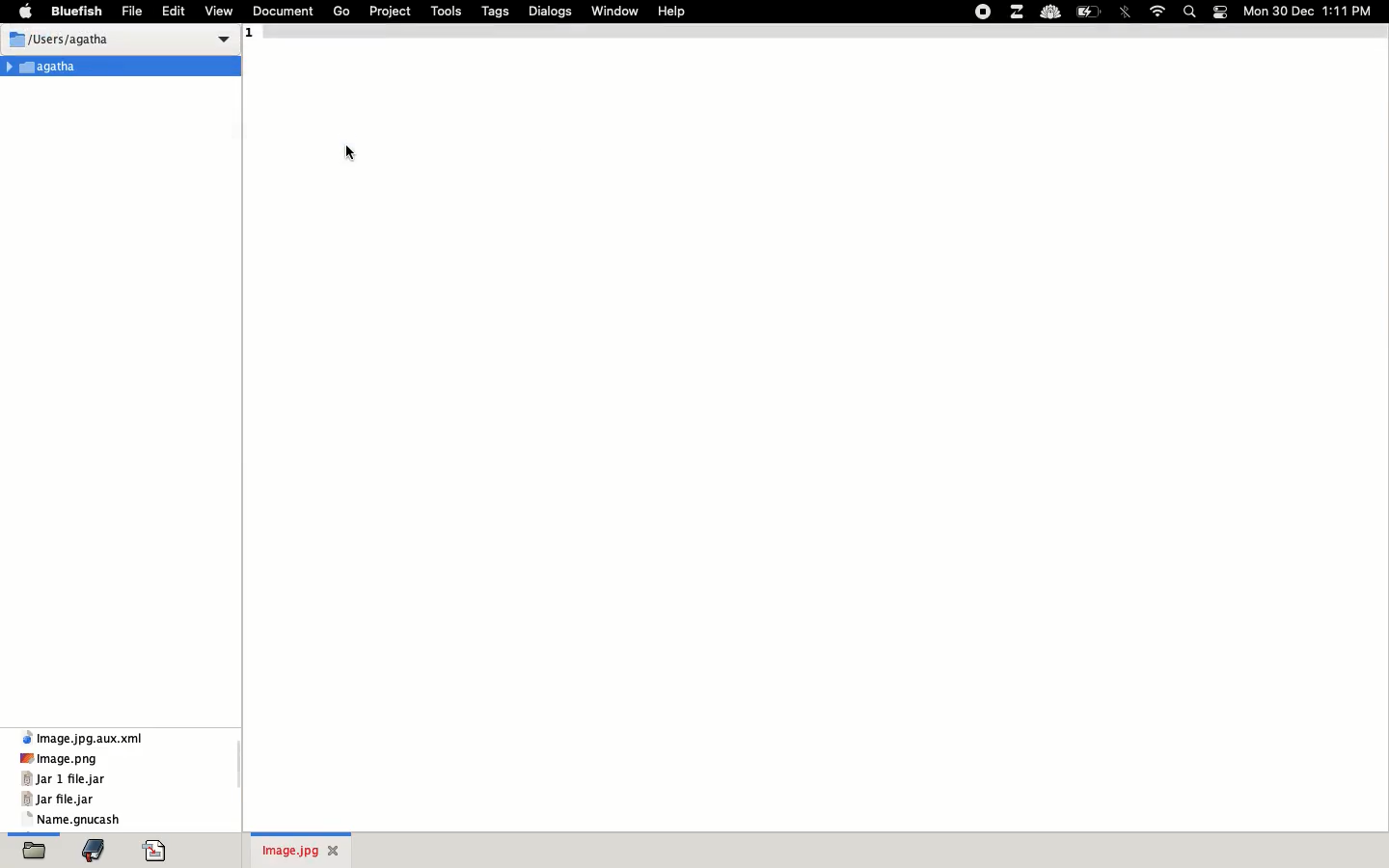 Image resolution: width=1389 pixels, height=868 pixels. What do you see at coordinates (1093, 10) in the screenshot?
I see `charge` at bounding box center [1093, 10].